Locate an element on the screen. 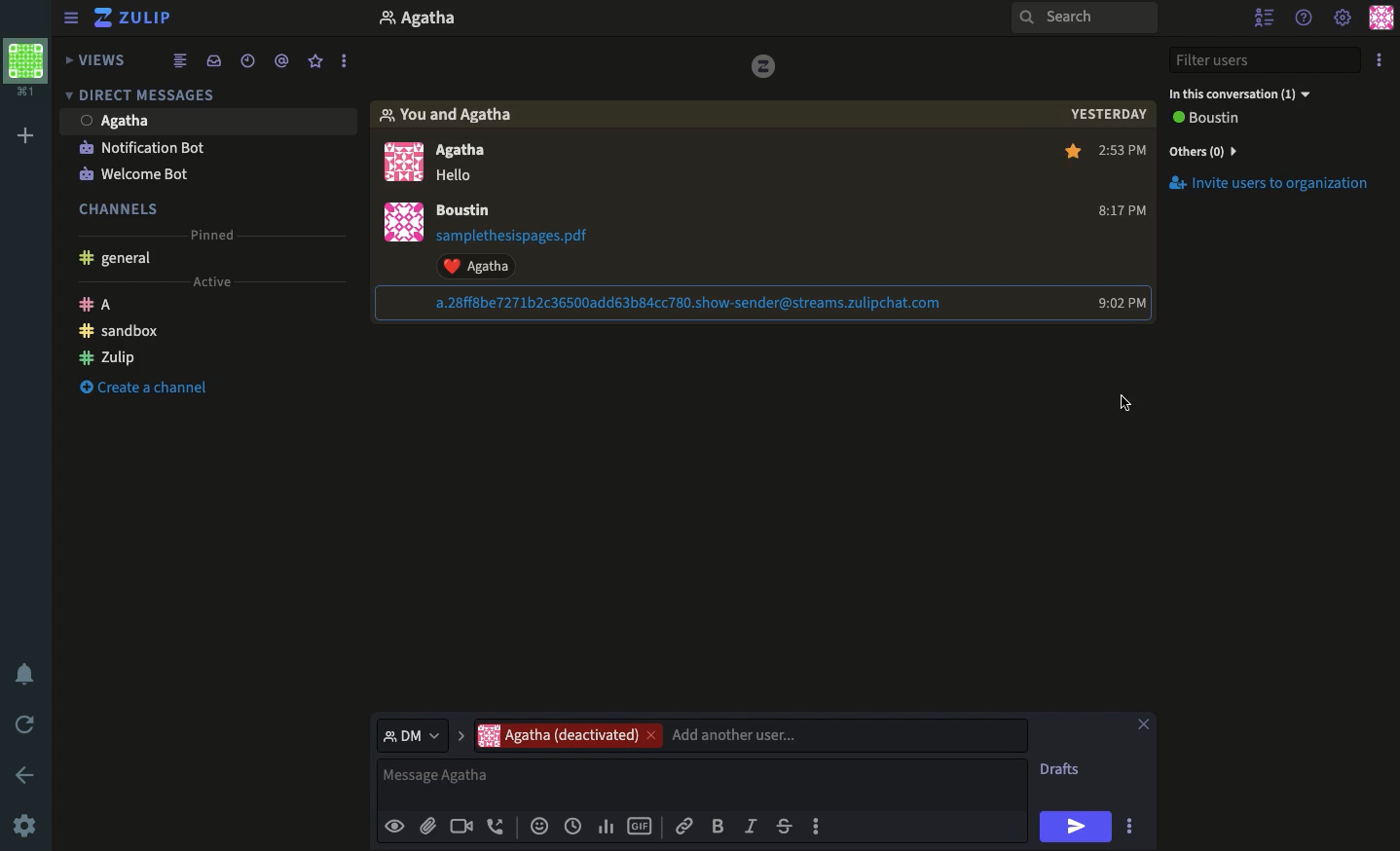  Welcome bot is located at coordinates (137, 174).